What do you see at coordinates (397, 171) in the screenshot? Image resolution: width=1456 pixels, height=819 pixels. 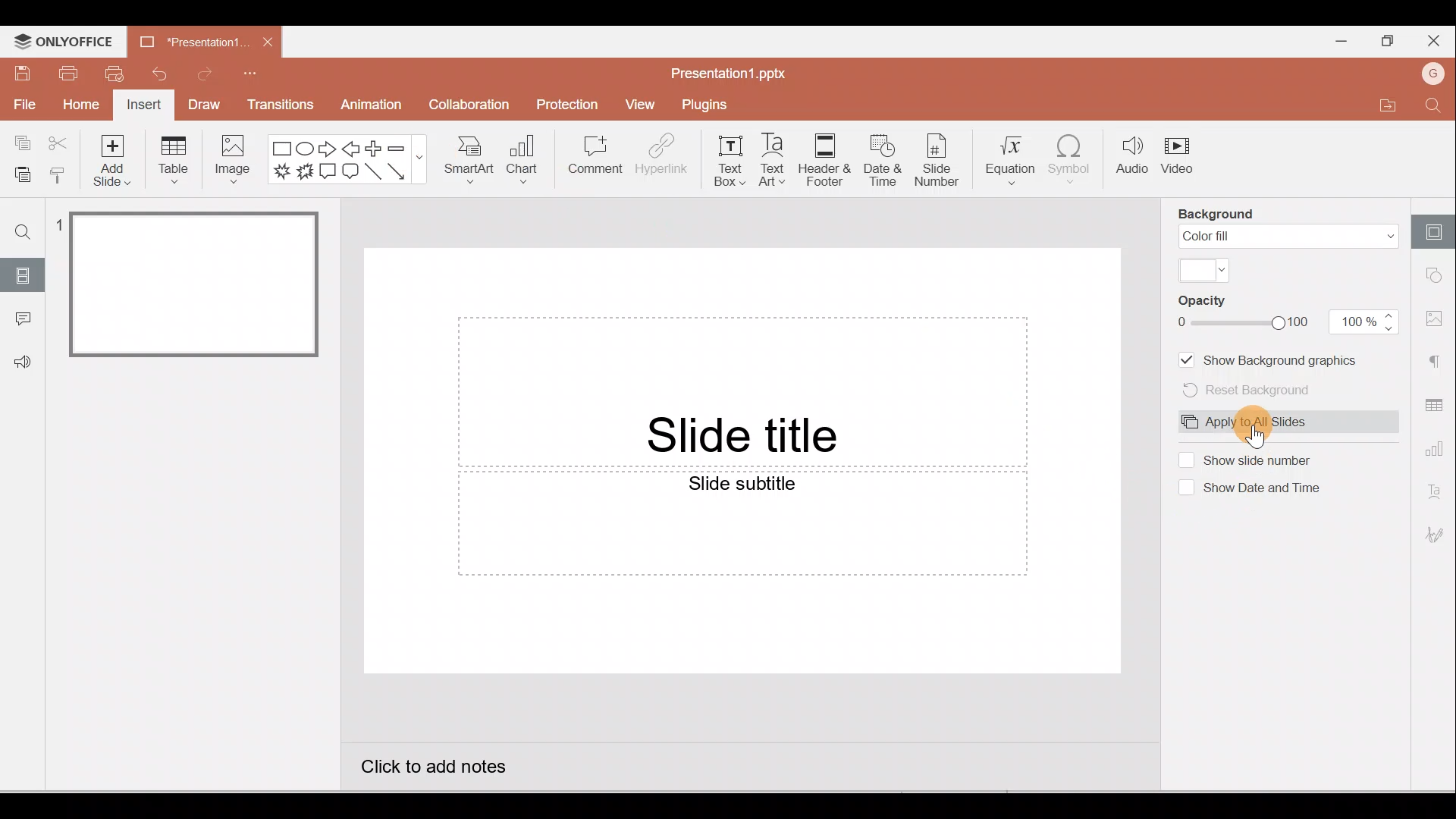 I see `Arrow` at bounding box center [397, 171].